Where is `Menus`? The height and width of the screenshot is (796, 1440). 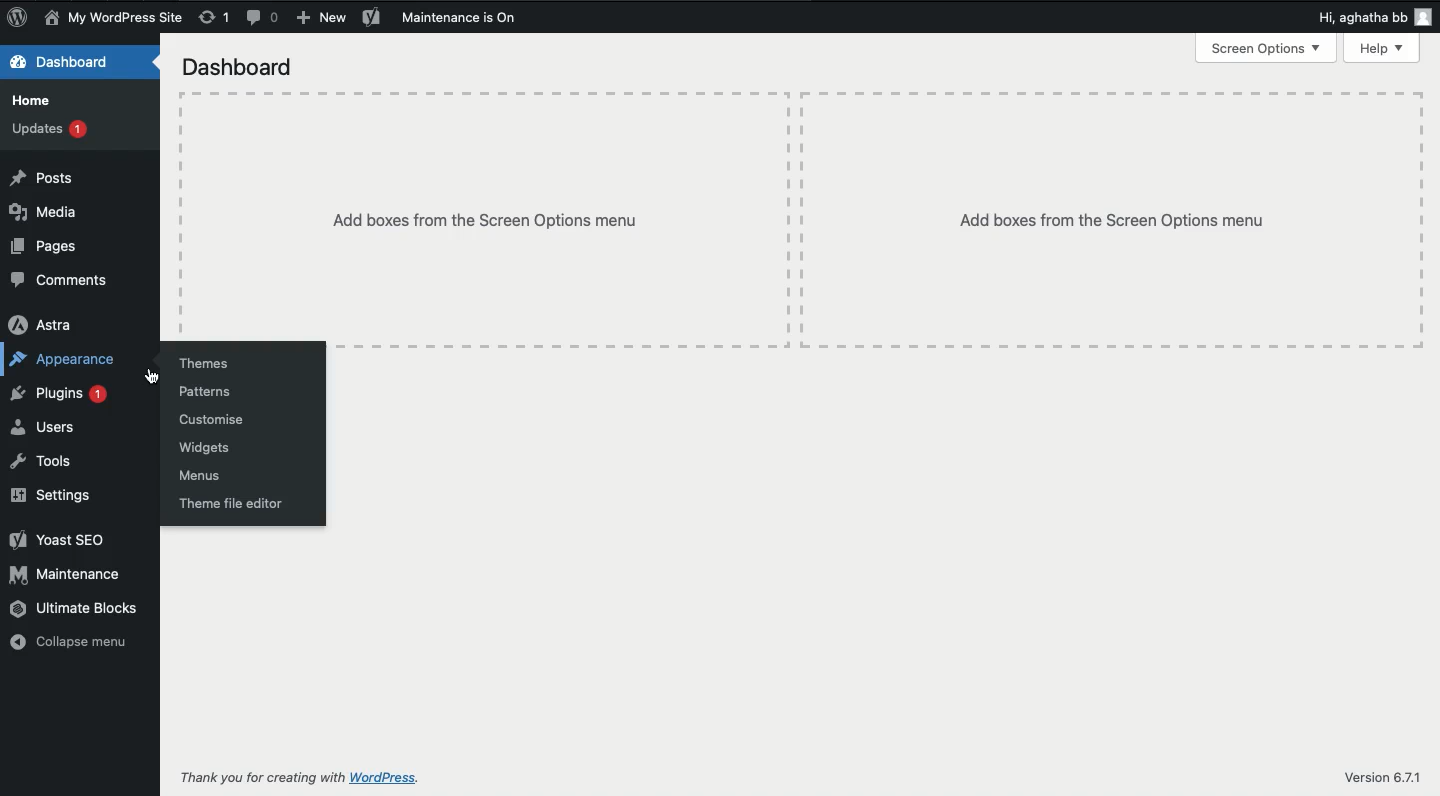 Menus is located at coordinates (202, 475).